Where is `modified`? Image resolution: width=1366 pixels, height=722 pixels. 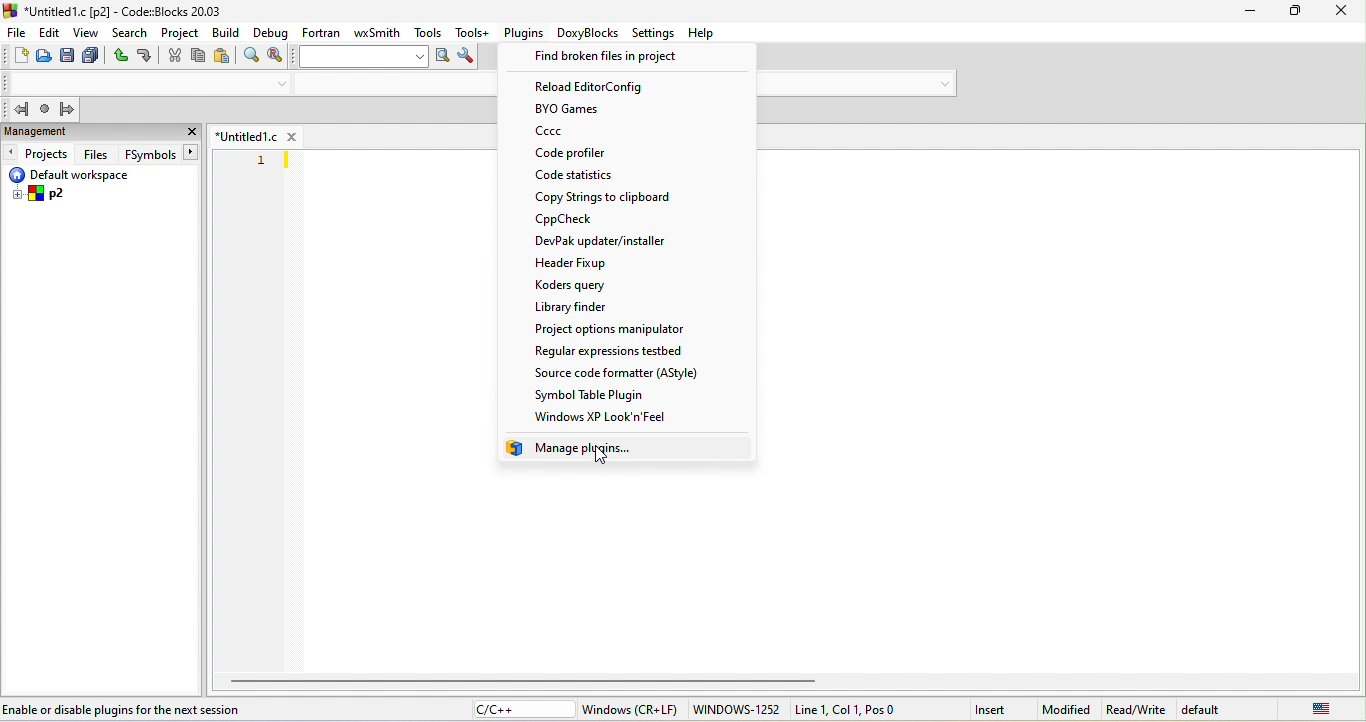 modified is located at coordinates (1065, 710).